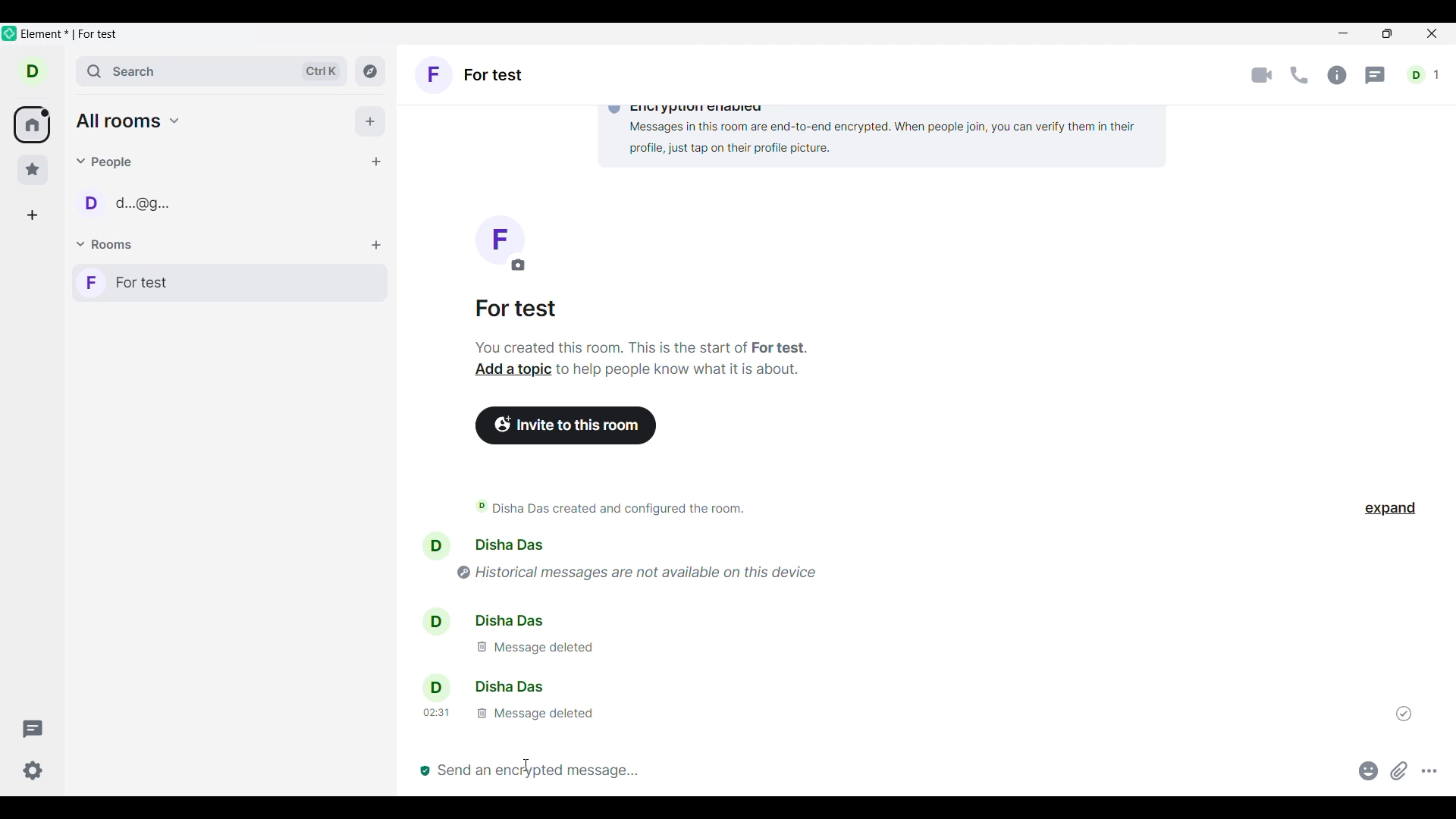 This screenshot has width=1456, height=819. Describe the element at coordinates (33, 770) in the screenshot. I see `Current settings` at that location.